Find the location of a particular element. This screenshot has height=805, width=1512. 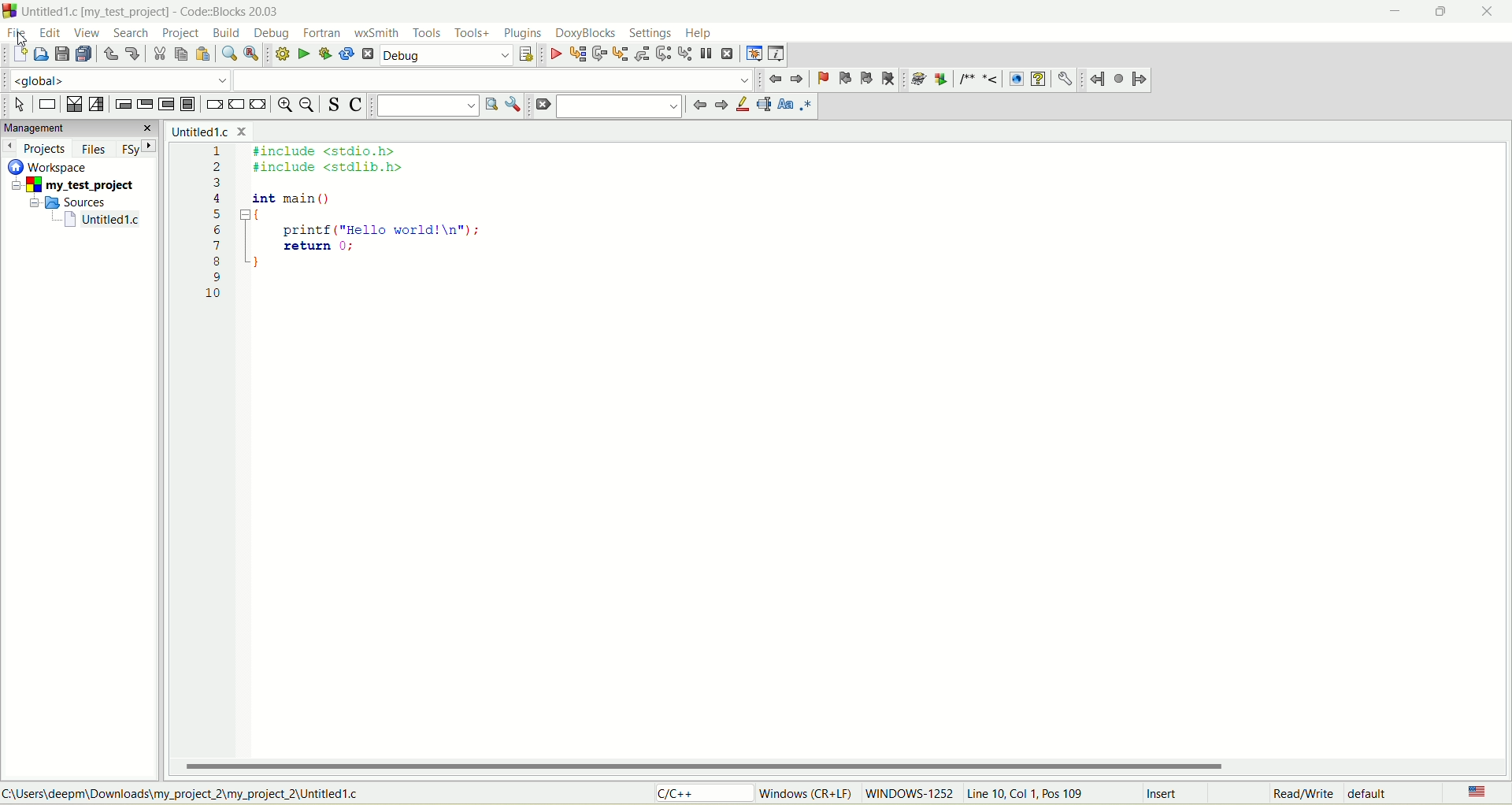

settings is located at coordinates (650, 32).